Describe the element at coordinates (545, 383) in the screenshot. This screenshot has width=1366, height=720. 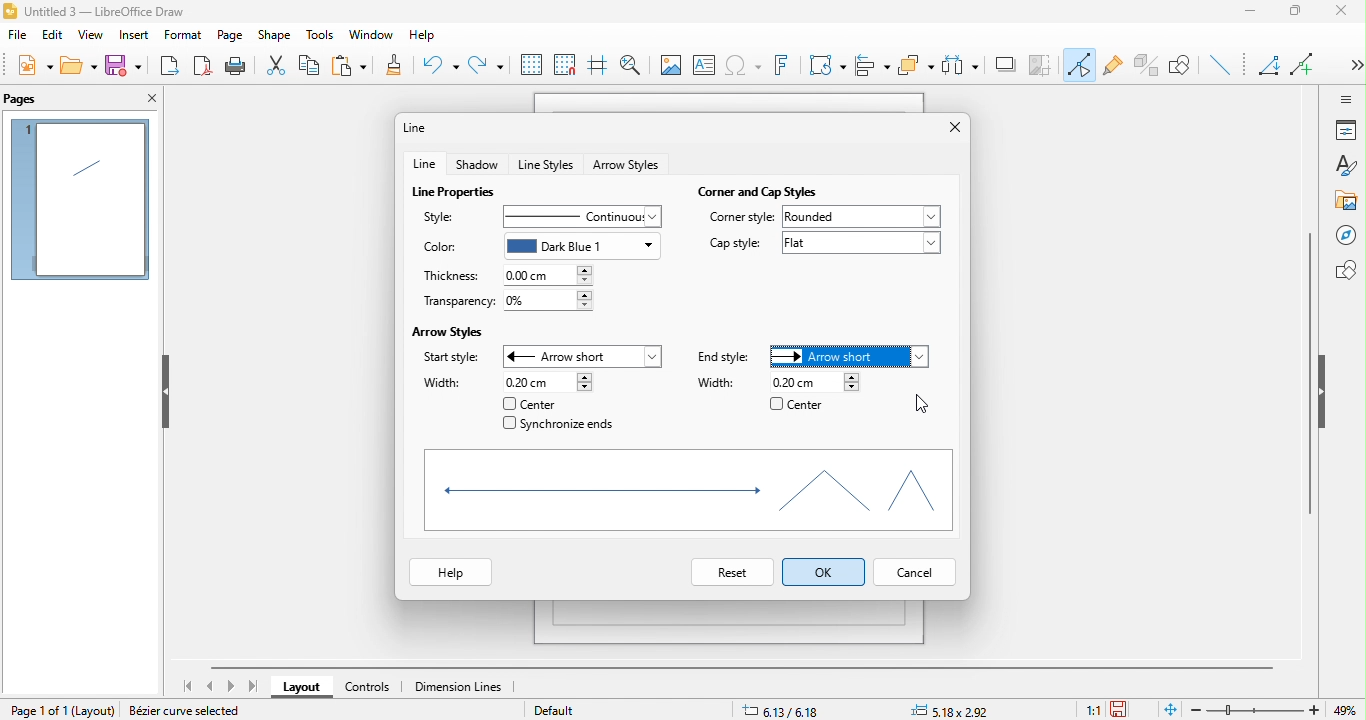
I see `0.20 cm` at that location.